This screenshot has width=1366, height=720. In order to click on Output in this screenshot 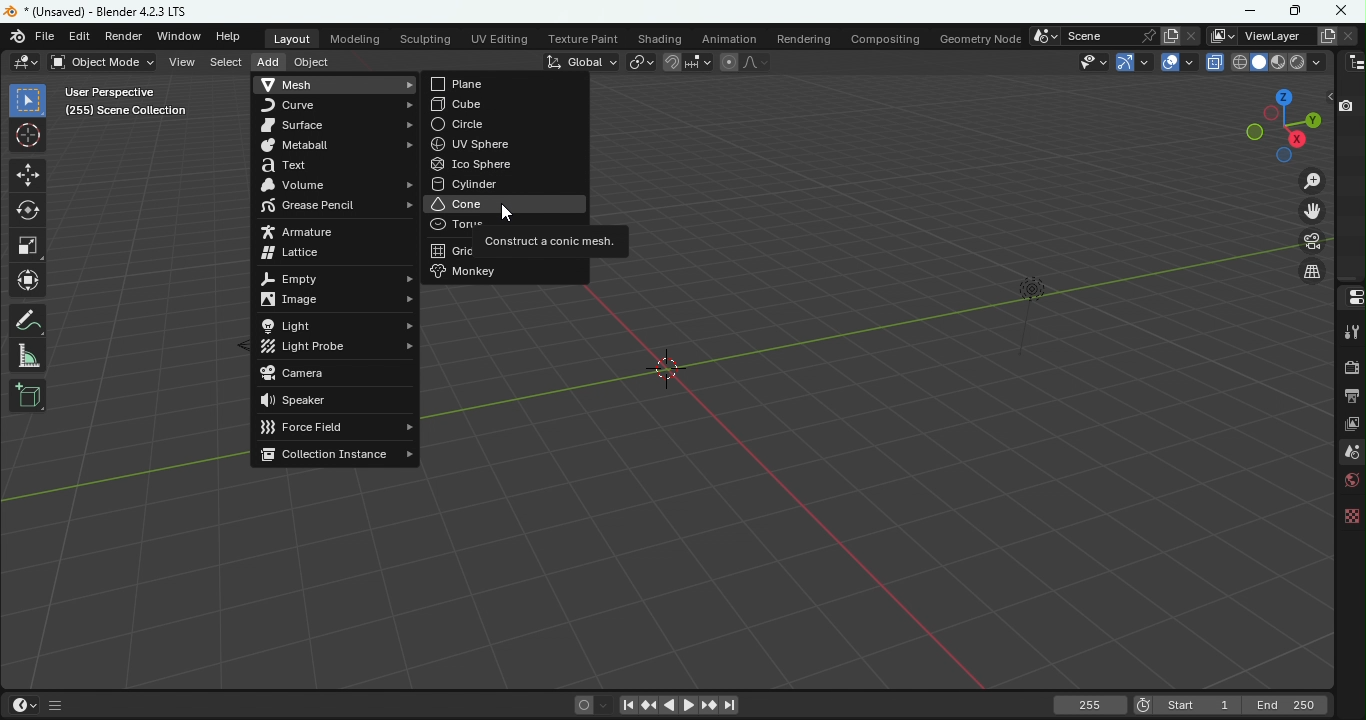, I will do `click(1349, 398)`.